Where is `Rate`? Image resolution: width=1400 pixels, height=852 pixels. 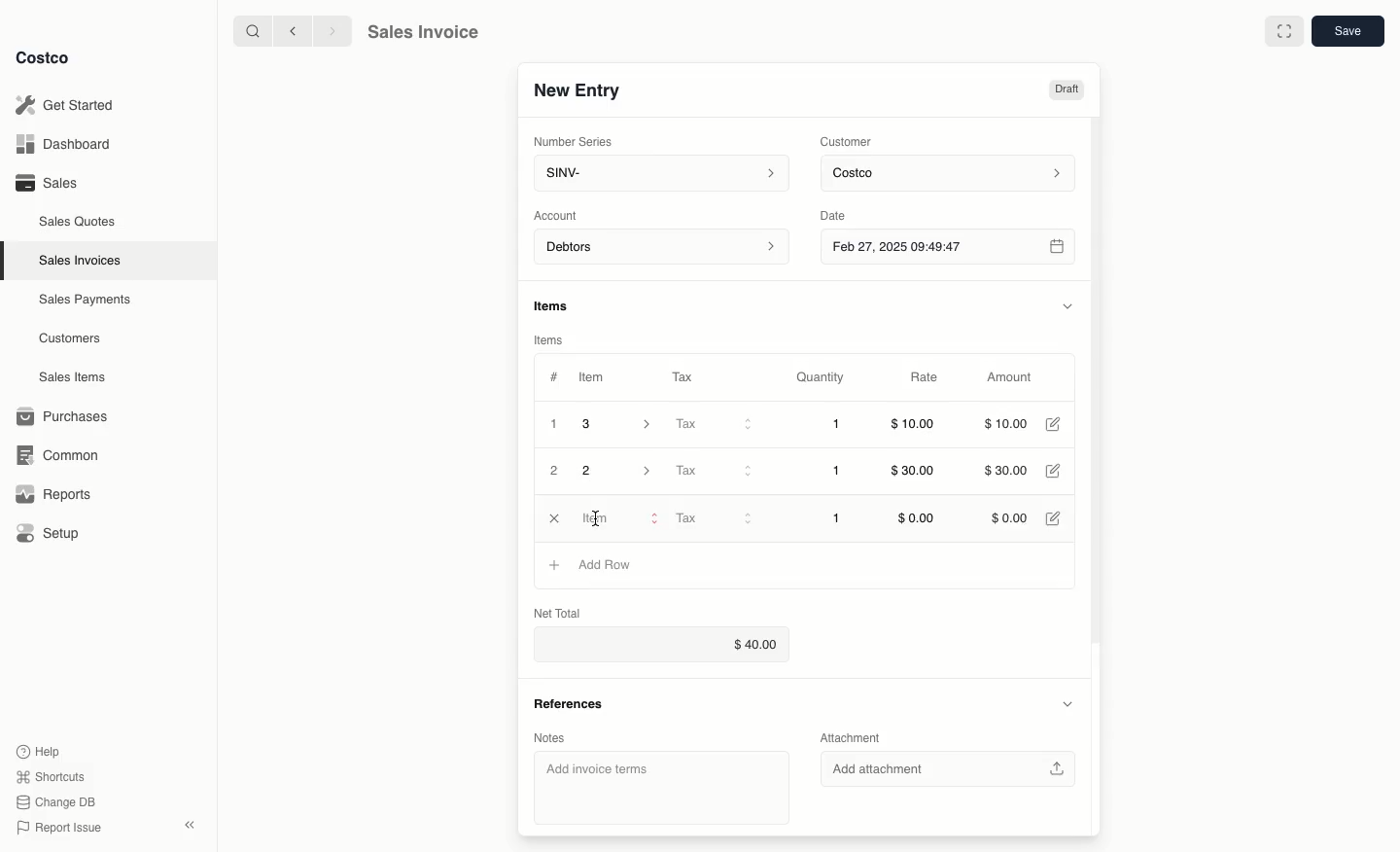
Rate is located at coordinates (926, 378).